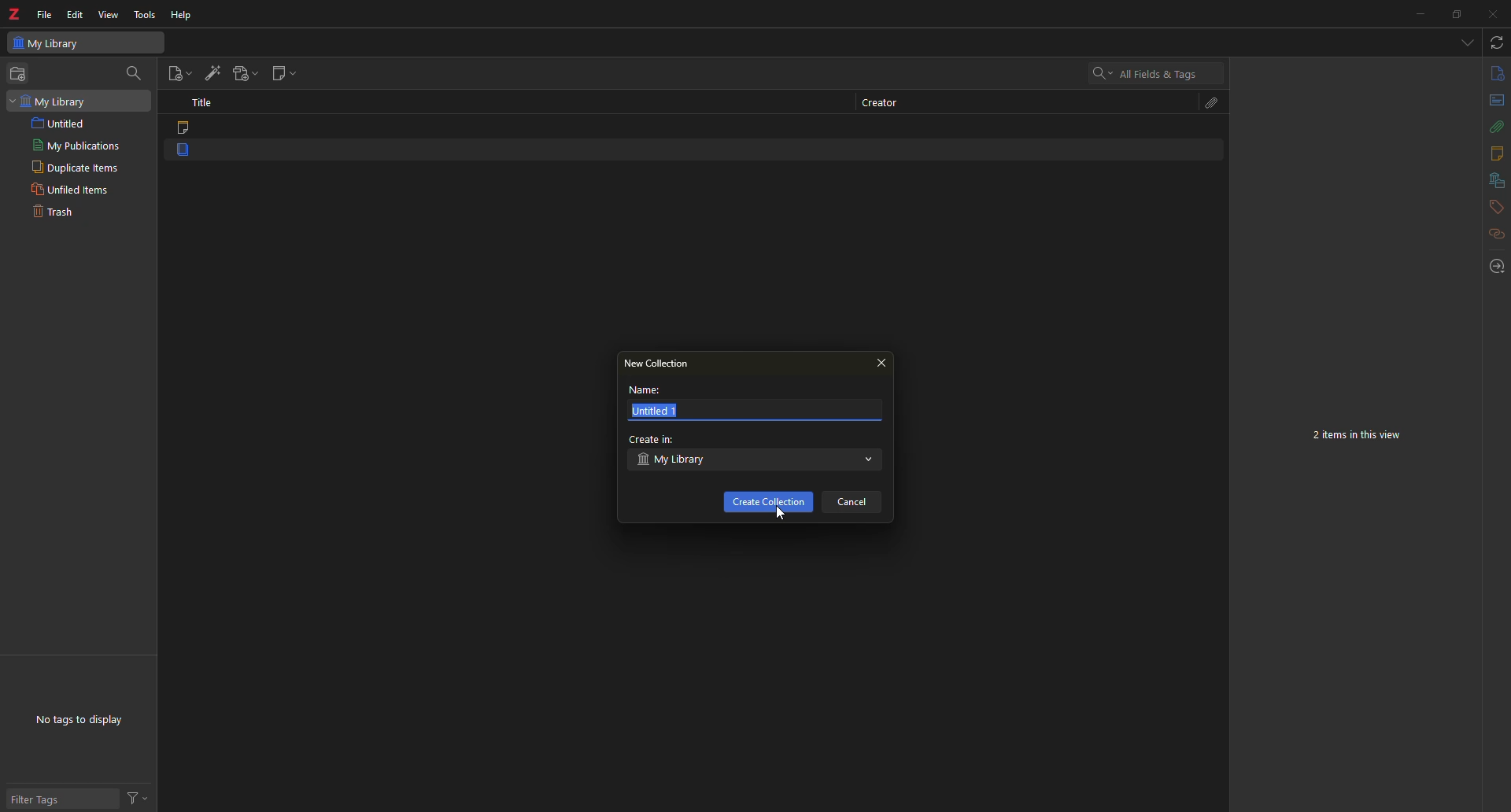 This screenshot has height=812, width=1511. I want to click on new collection, so click(659, 364).